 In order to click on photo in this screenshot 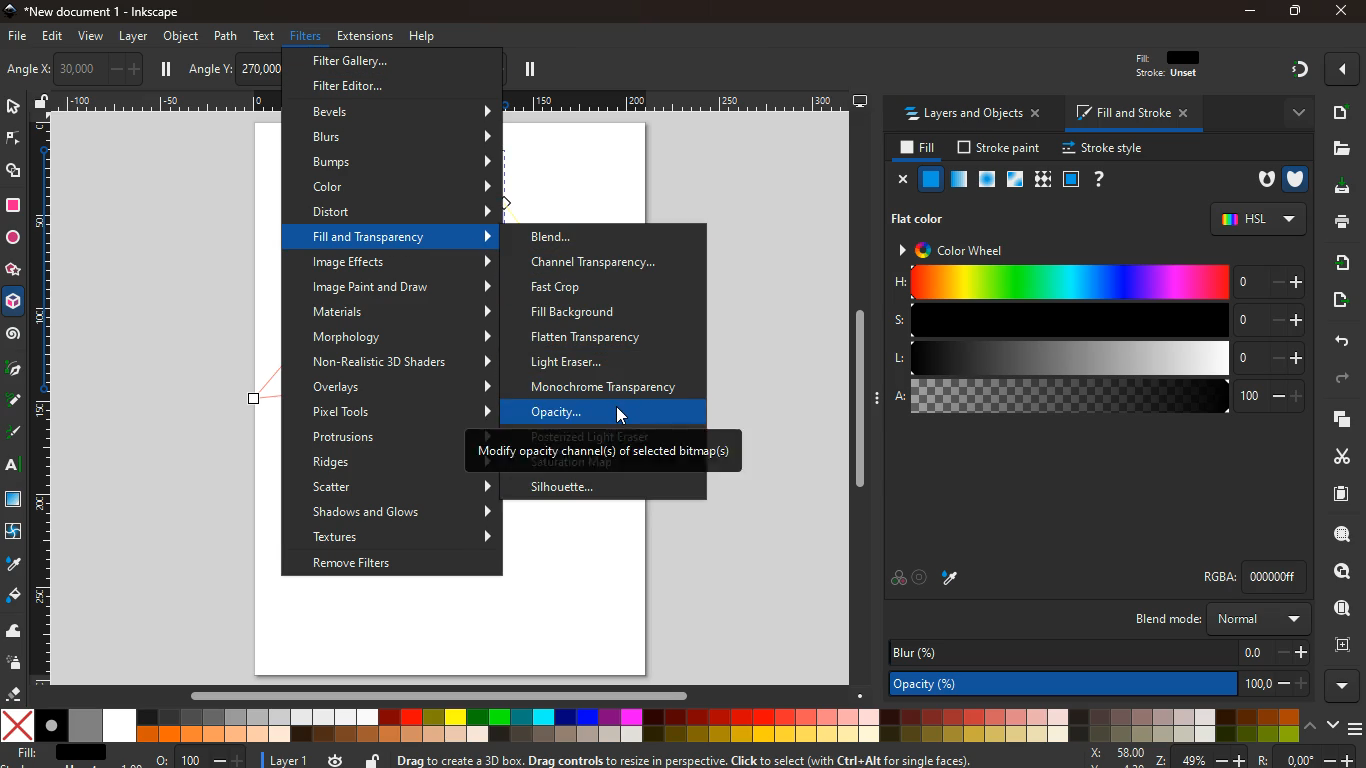, I will do `click(21, 70)`.